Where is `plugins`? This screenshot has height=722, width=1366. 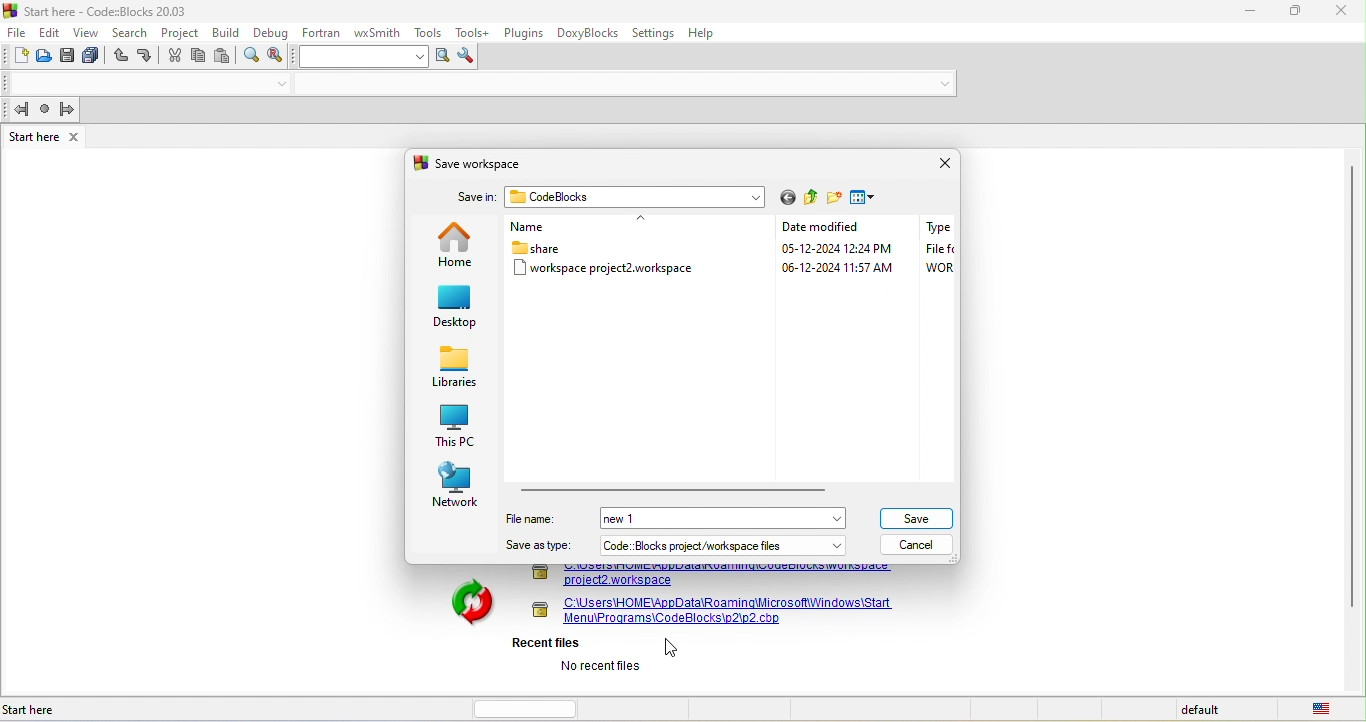
plugins is located at coordinates (523, 31).